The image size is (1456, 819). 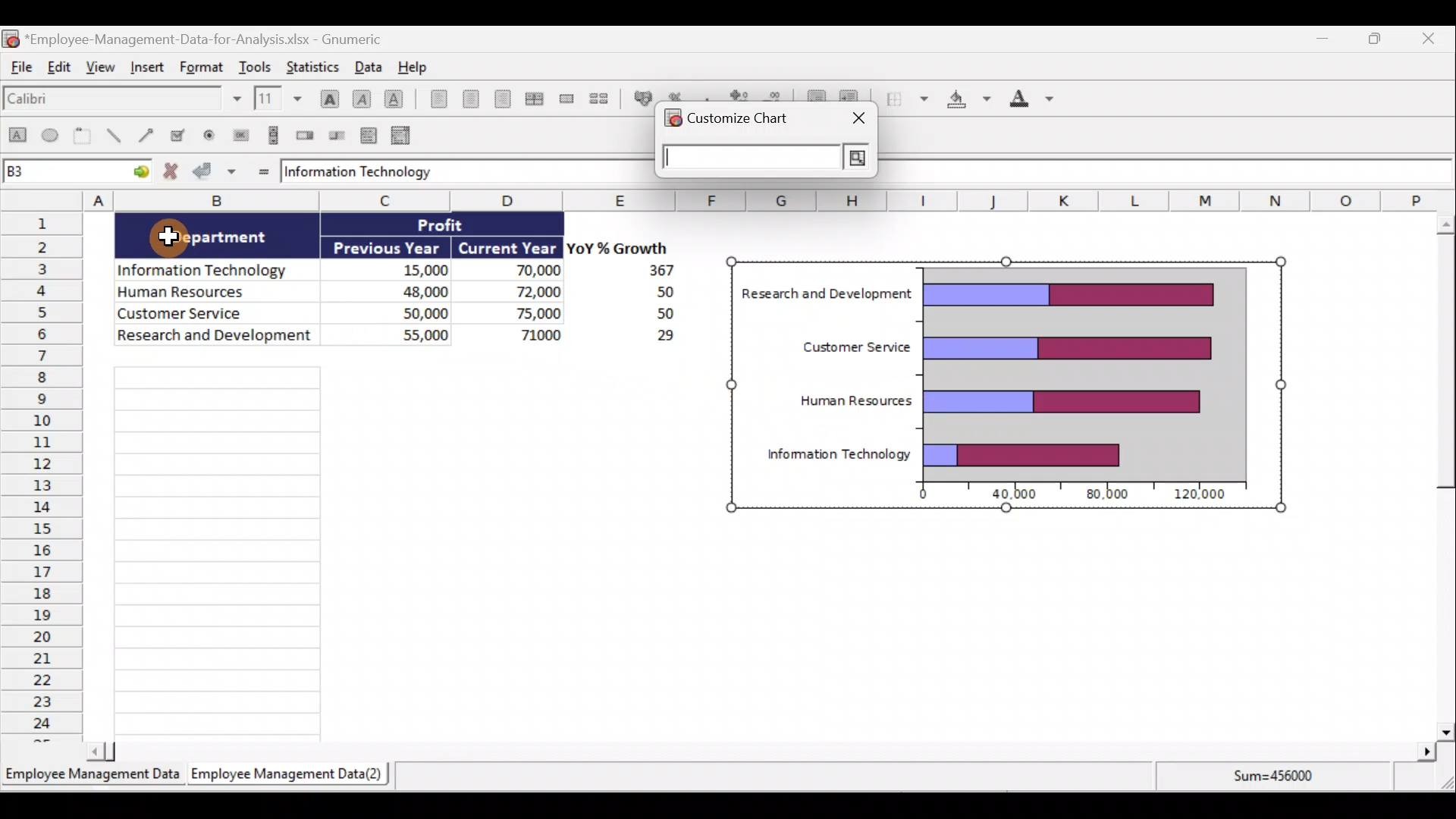 What do you see at coordinates (124, 100) in the screenshot?
I see `Font name` at bounding box center [124, 100].